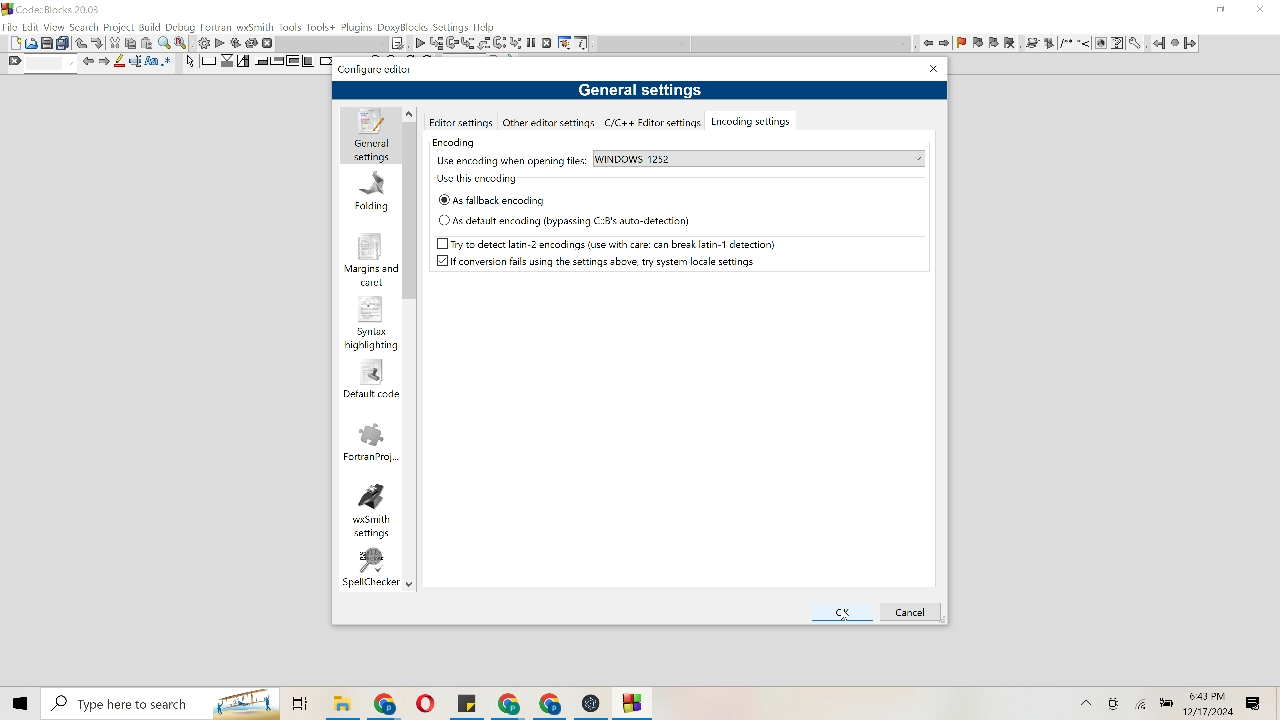 Image resolution: width=1280 pixels, height=720 pixels. Describe the element at coordinates (564, 43) in the screenshot. I see `Tools` at that location.